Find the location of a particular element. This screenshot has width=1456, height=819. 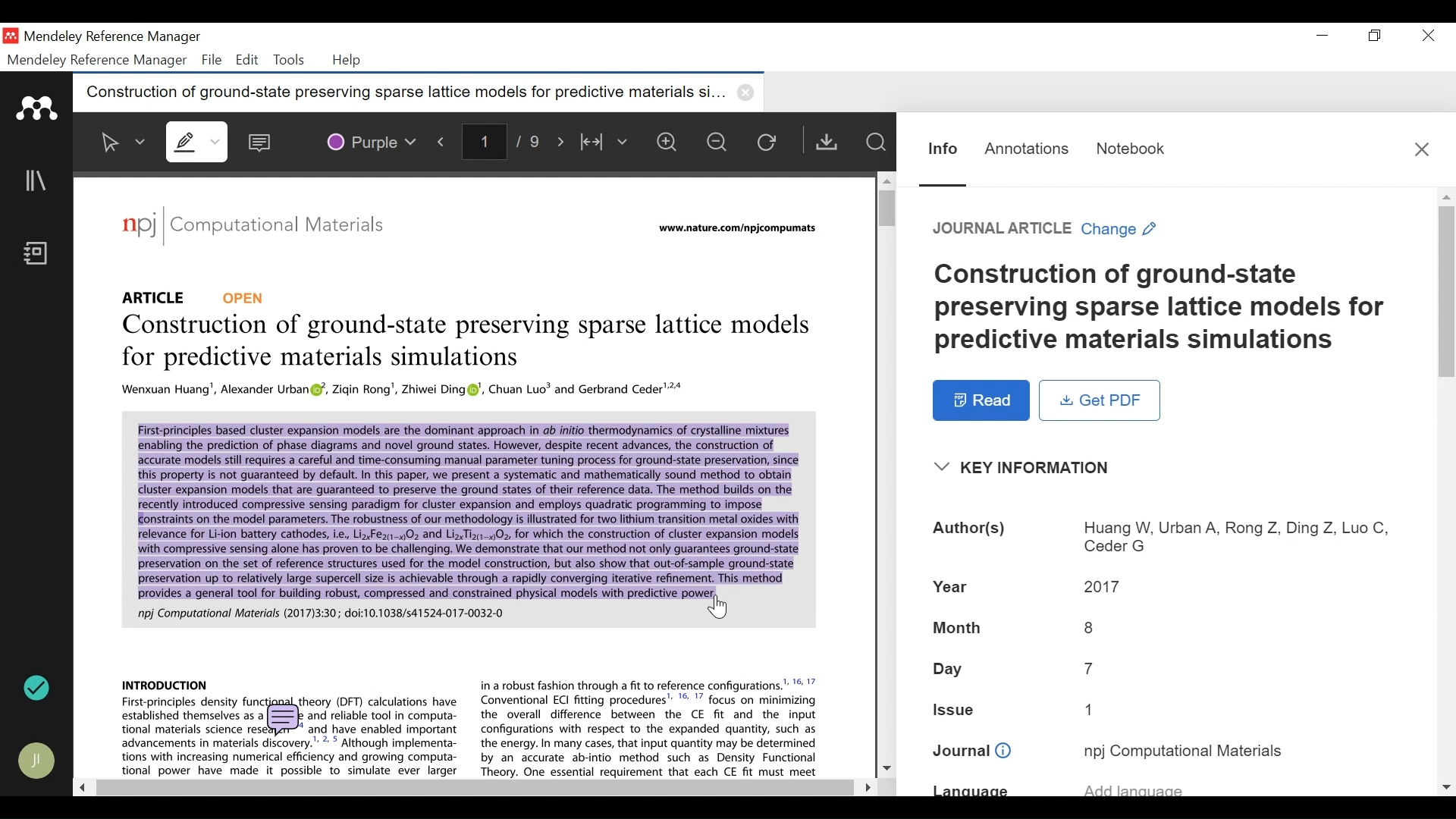

Get PDF is located at coordinates (826, 141).